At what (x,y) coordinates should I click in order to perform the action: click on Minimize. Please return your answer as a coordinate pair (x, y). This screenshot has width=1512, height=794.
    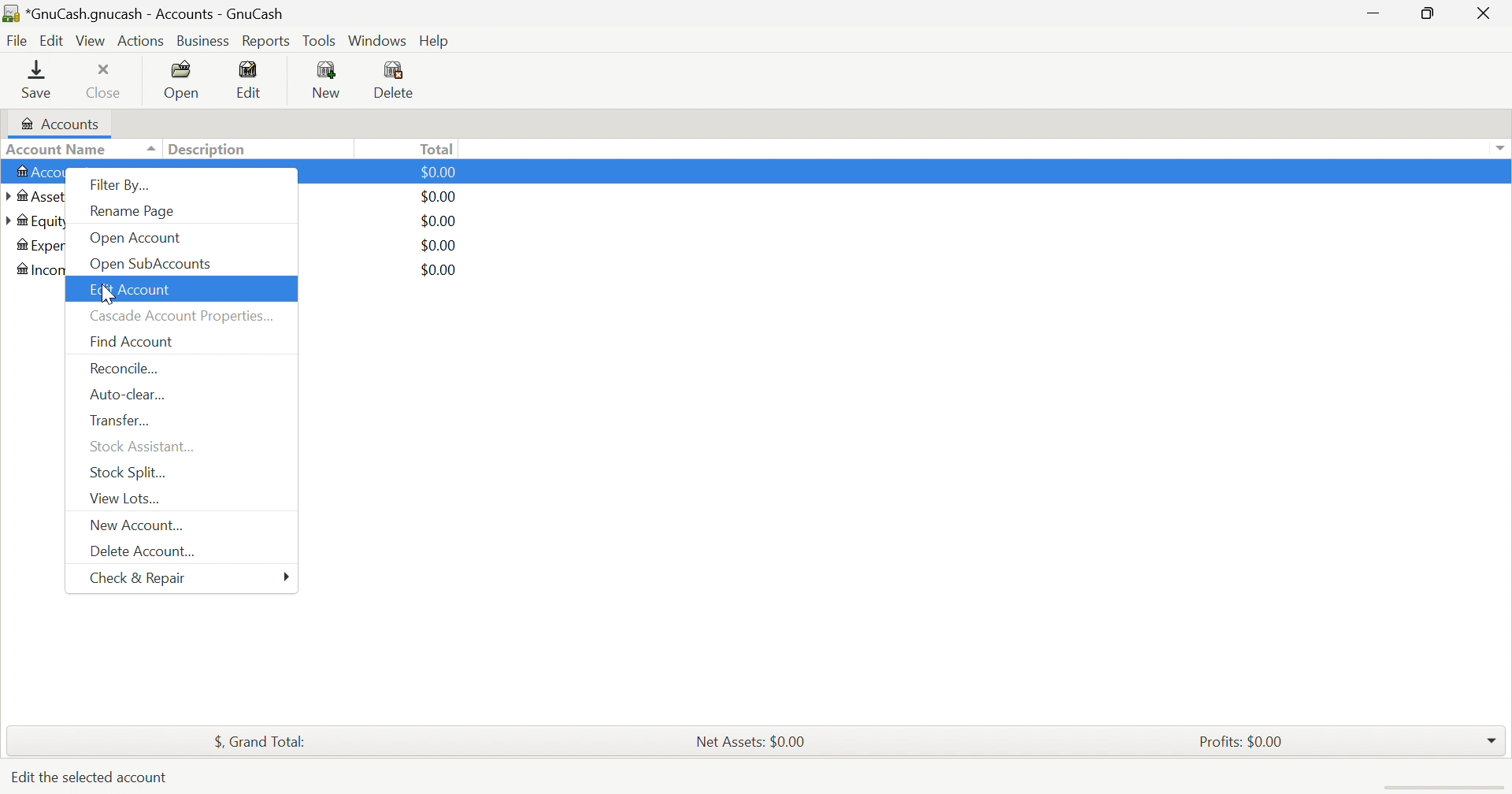
    Looking at the image, I should click on (1372, 13).